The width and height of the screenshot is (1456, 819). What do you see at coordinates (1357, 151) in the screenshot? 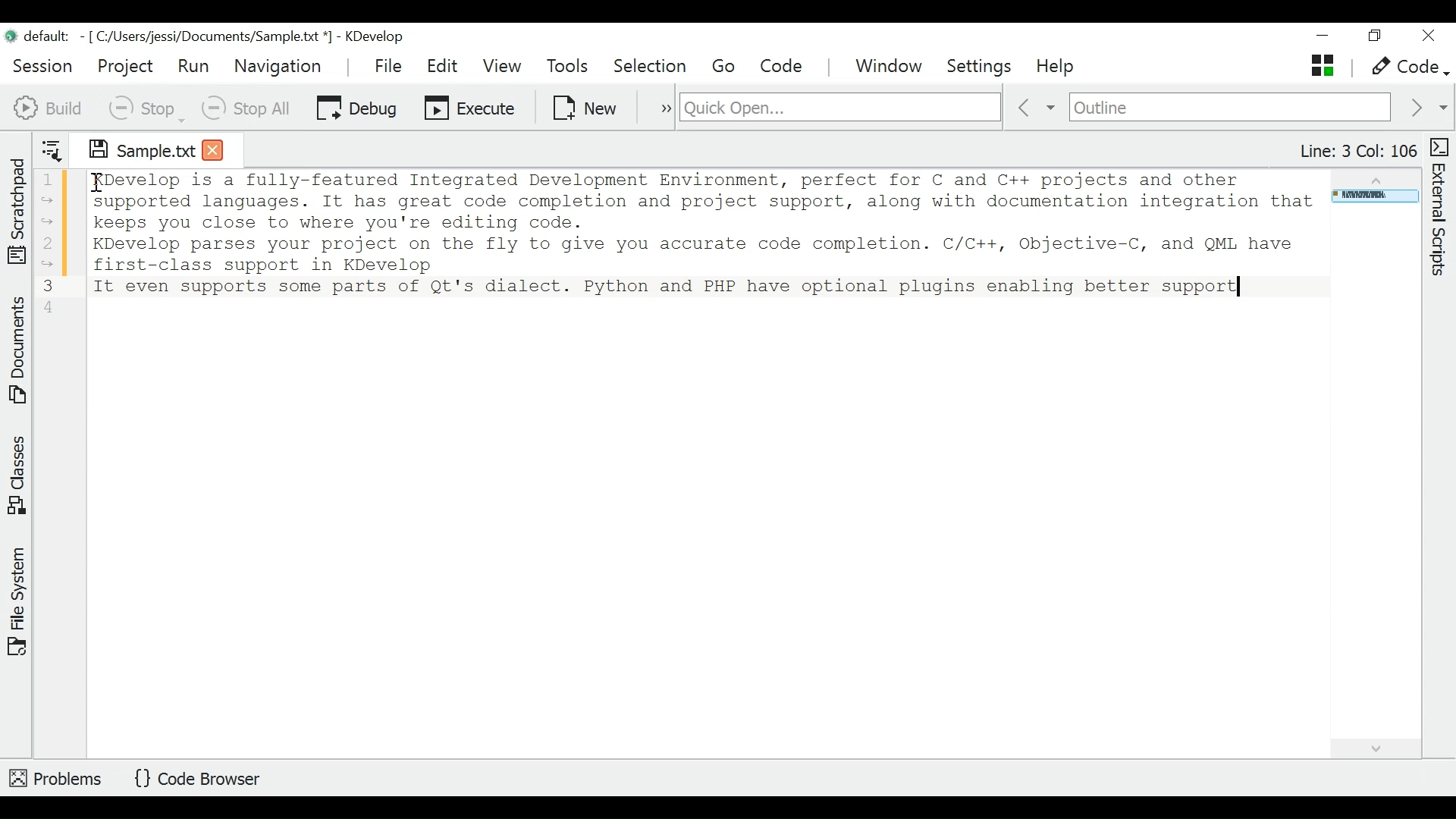
I see `Line: 3 Col: 106` at bounding box center [1357, 151].